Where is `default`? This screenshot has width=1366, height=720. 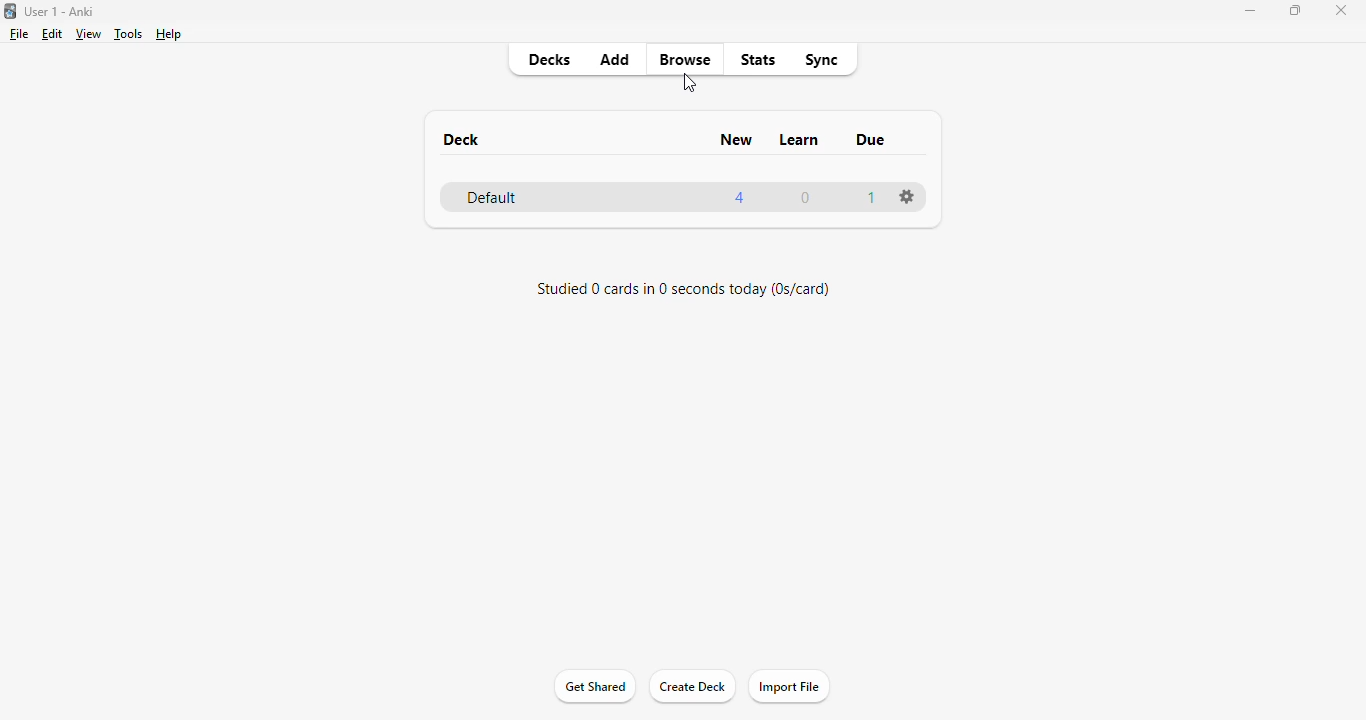 default is located at coordinates (492, 197).